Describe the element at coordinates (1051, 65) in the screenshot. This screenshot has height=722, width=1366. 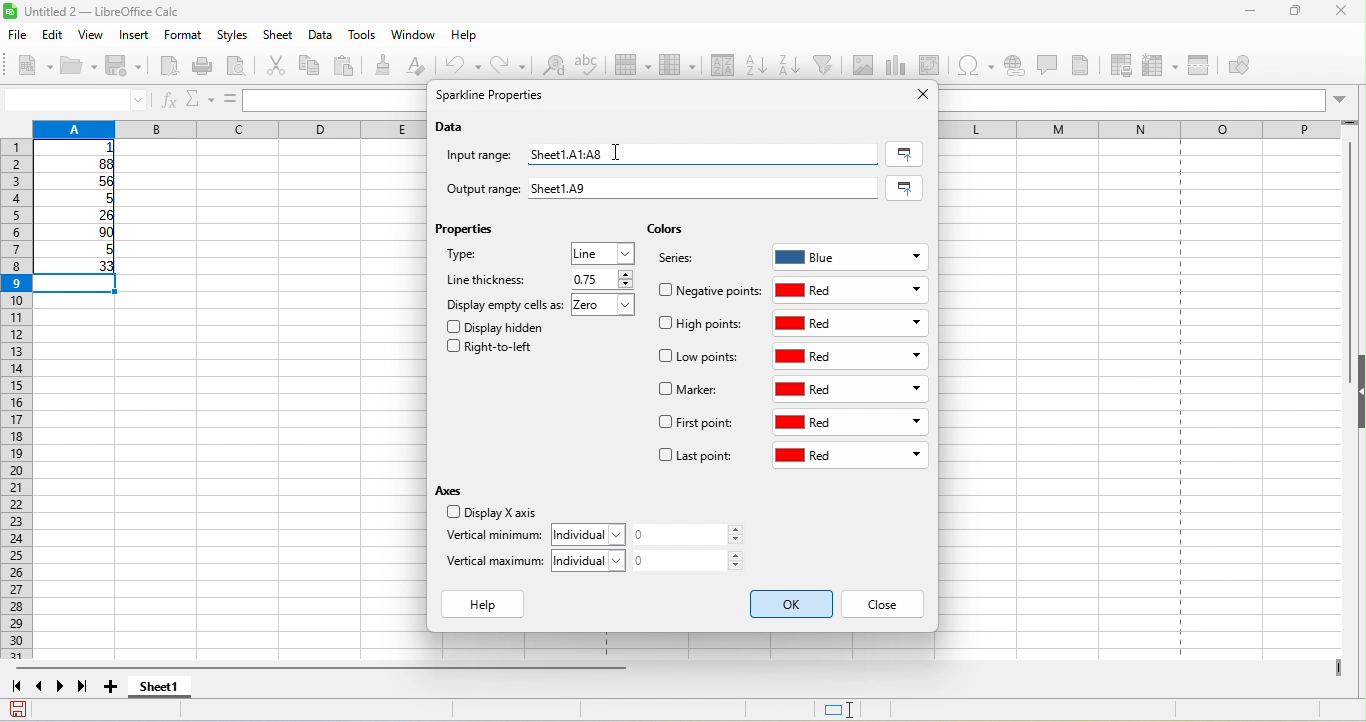
I see `comment` at that location.